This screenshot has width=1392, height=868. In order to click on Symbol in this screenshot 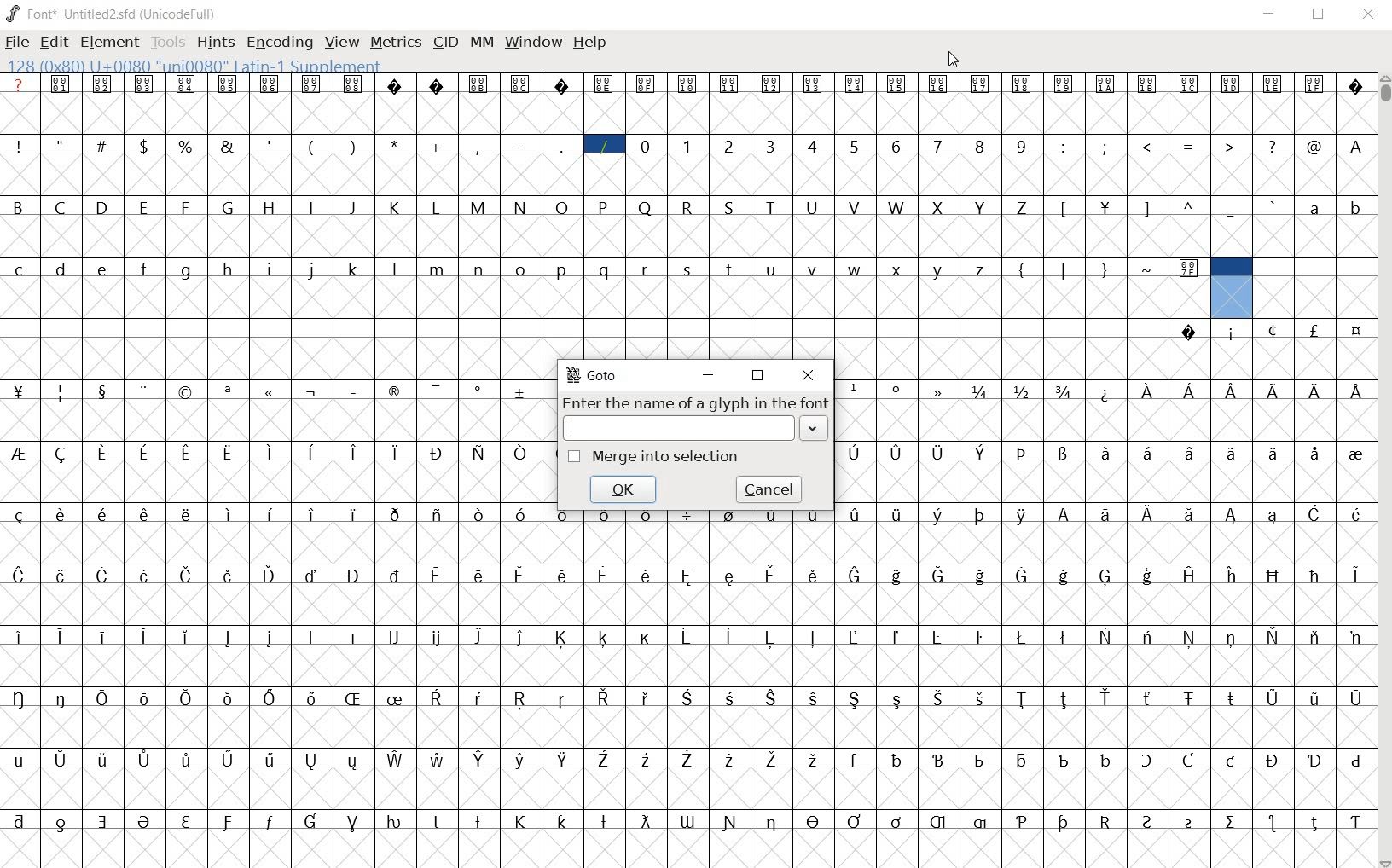, I will do `click(521, 391)`.